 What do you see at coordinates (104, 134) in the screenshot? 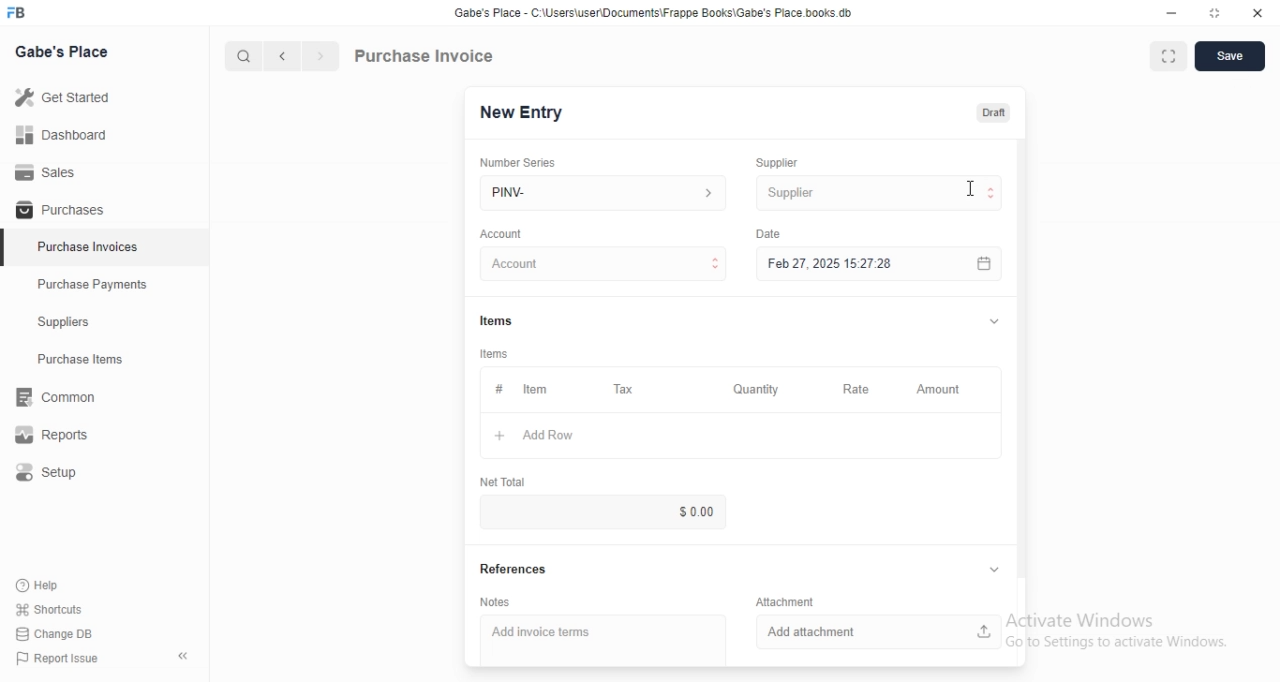
I see `Dashboard` at bounding box center [104, 134].